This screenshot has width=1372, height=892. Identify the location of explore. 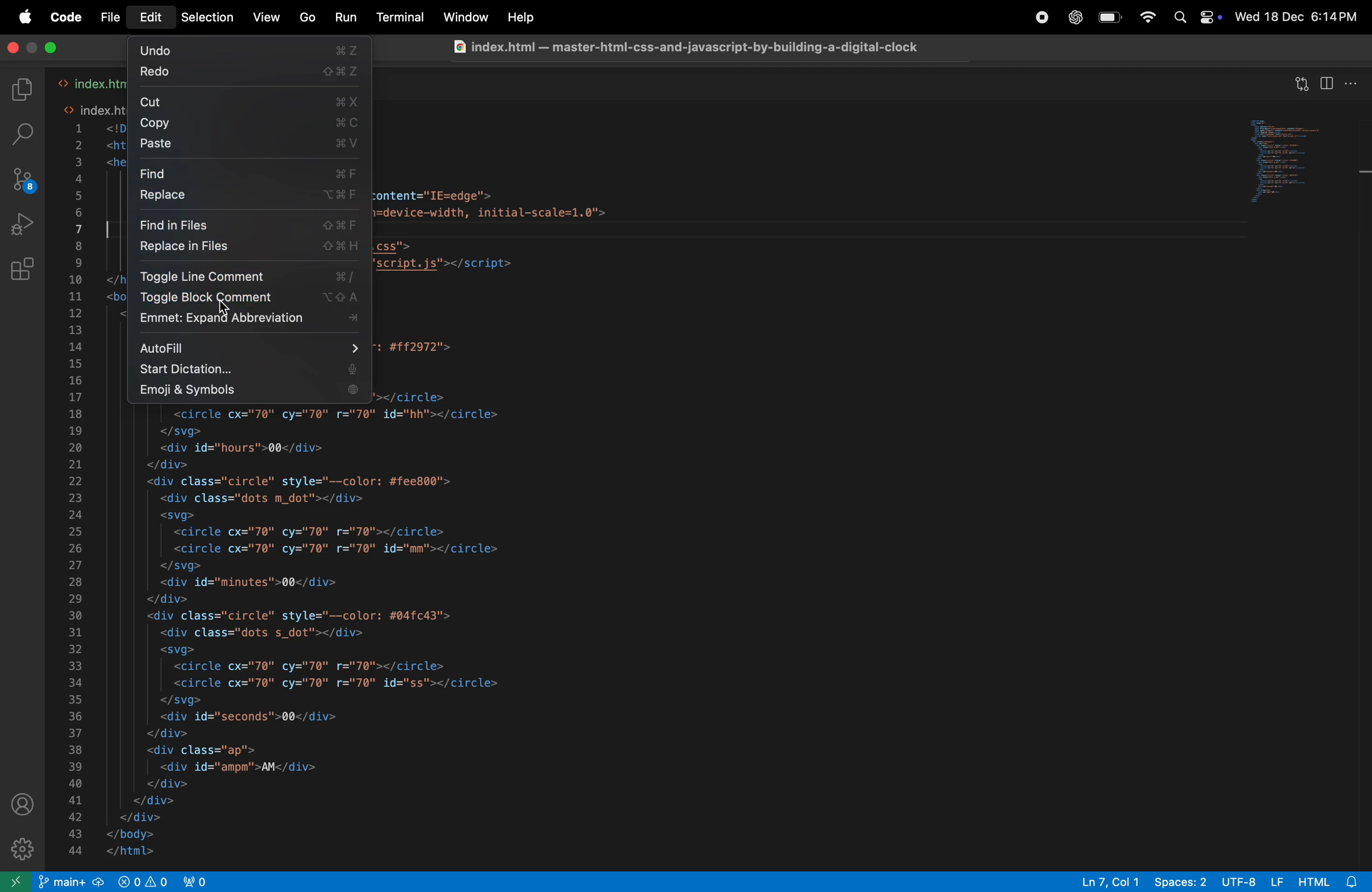
(21, 90).